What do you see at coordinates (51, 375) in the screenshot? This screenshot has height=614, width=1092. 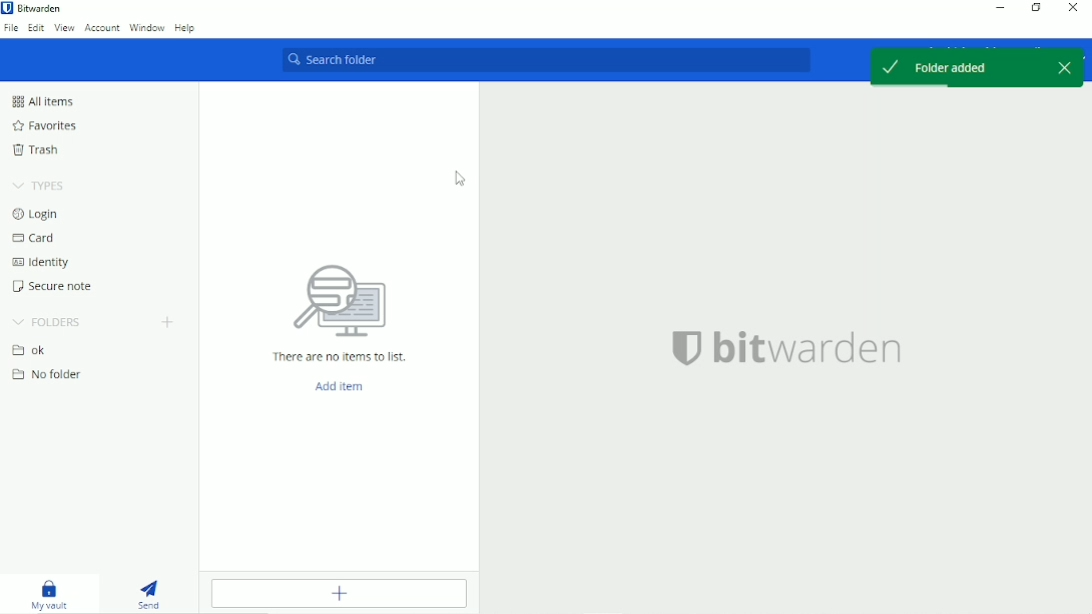 I see `No folder` at bounding box center [51, 375].